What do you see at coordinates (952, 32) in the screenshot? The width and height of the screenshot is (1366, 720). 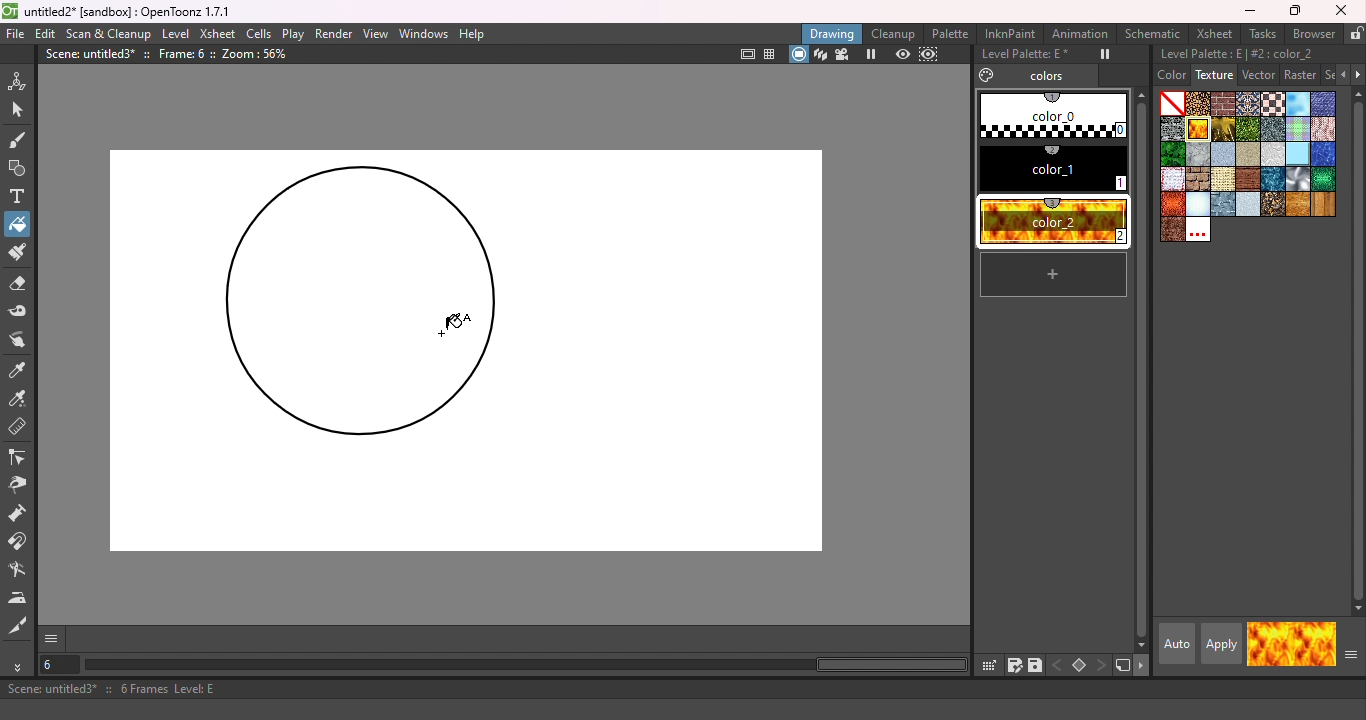 I see `Palette` at bounding box center [952, 32].